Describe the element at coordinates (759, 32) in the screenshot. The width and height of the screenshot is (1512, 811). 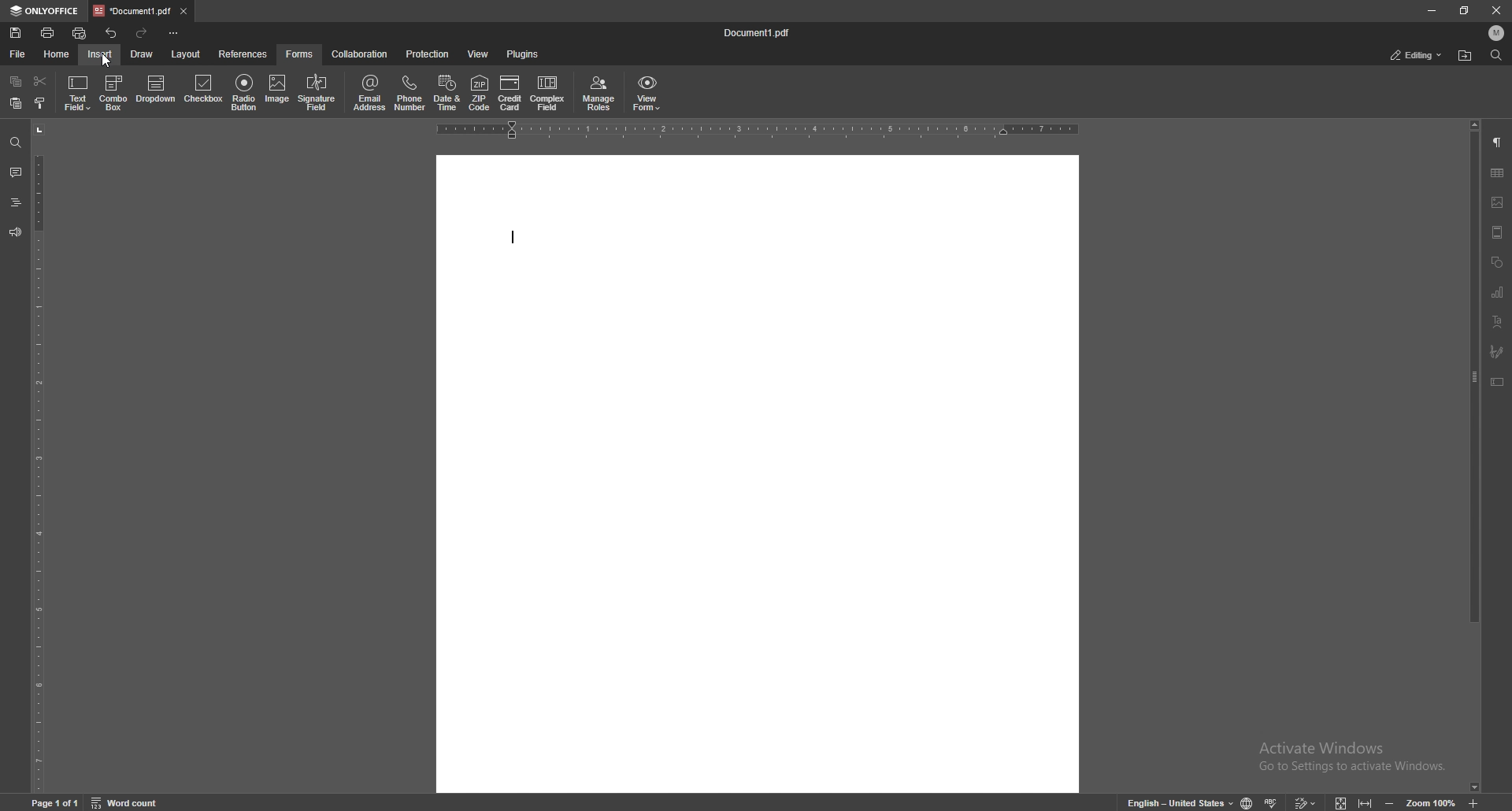
I see `file name` at that location.